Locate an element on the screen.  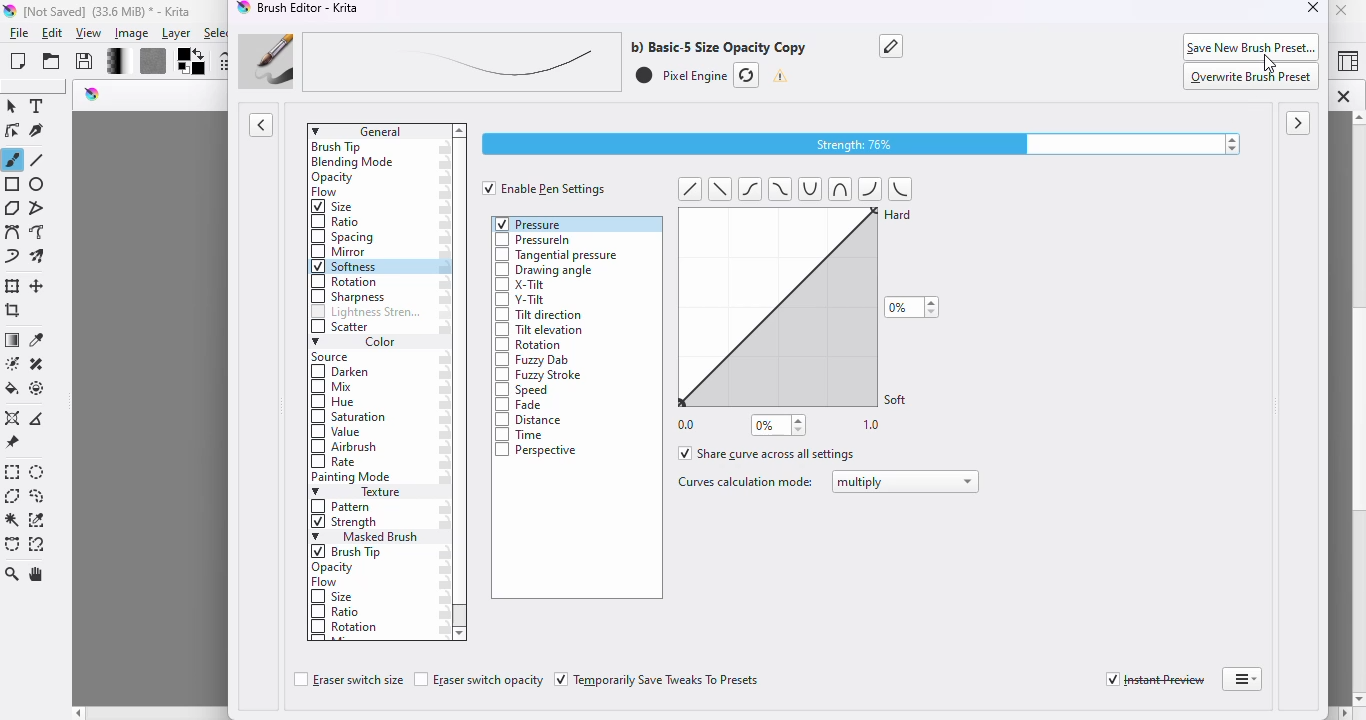
rate is located at coordinates (336, 462).